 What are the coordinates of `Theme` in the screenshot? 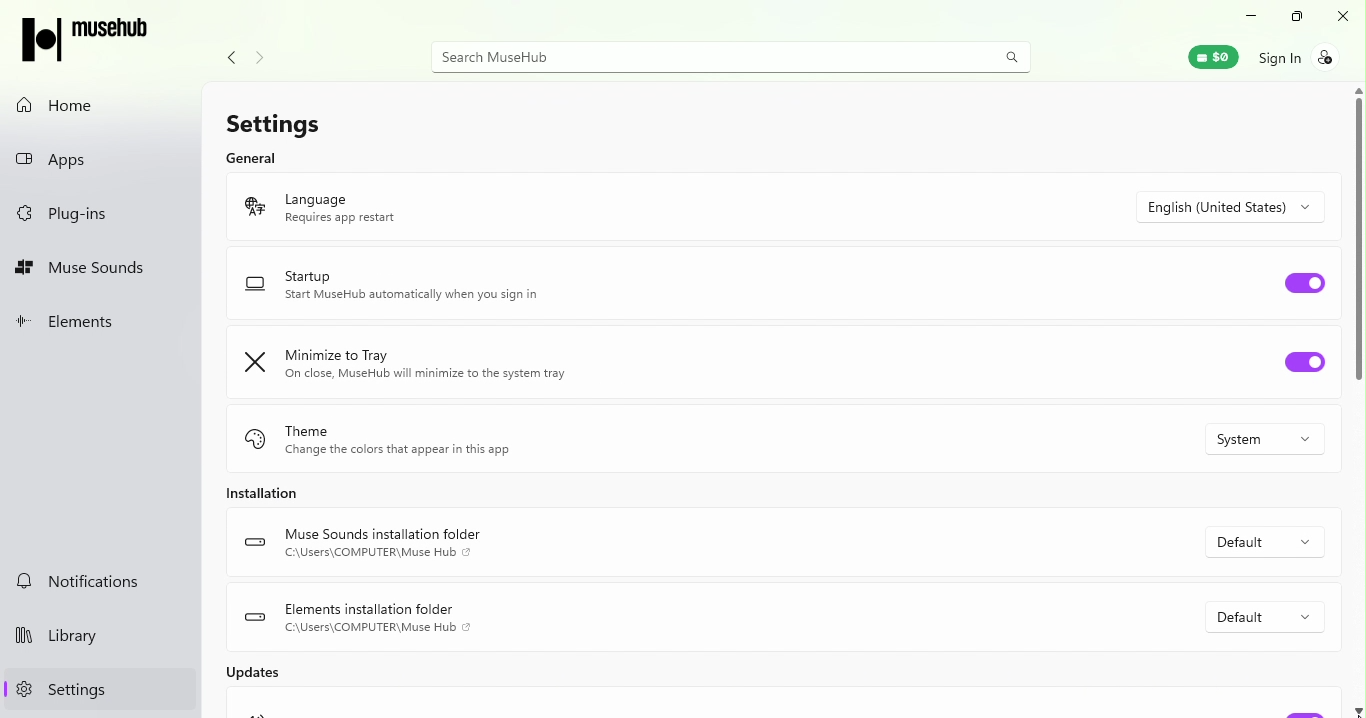 It's located at (384, 443).